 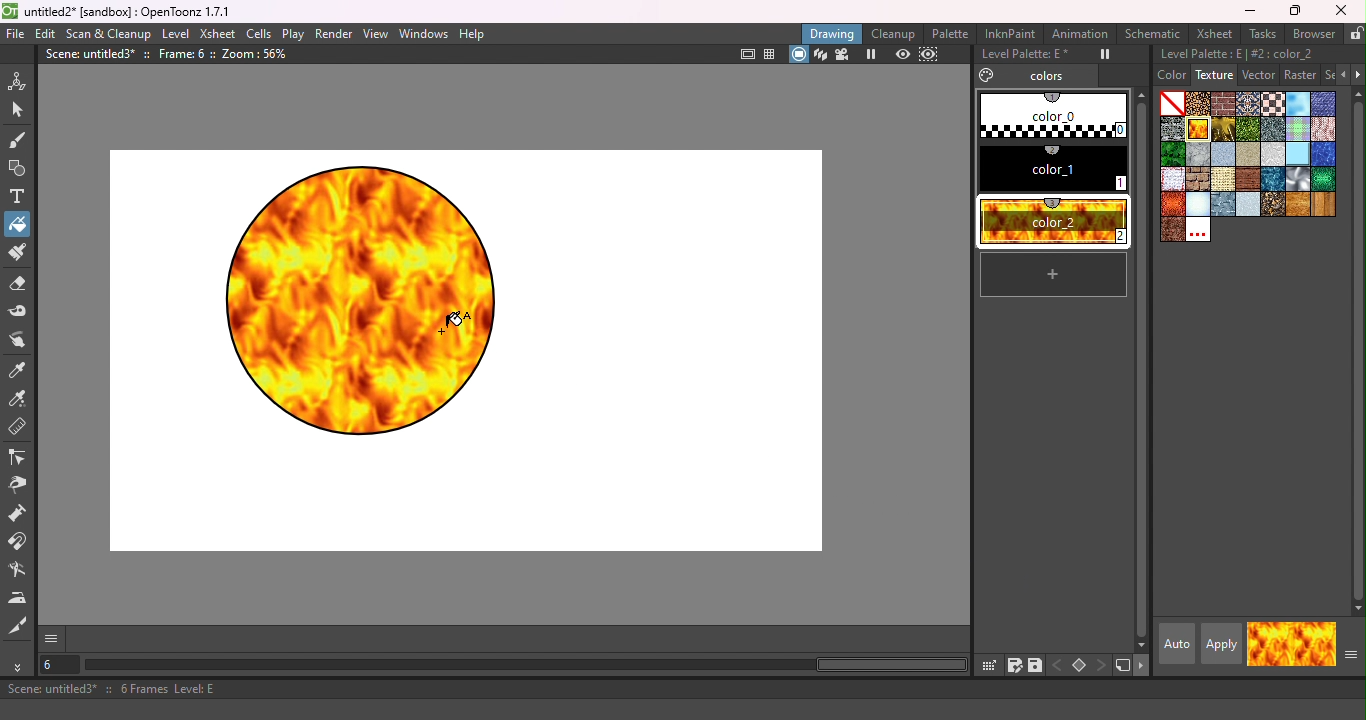 What do you see at coordinates (1198, 154) in the screenshot?
I see `marble.bmp` at bounding box center [1198, 154].